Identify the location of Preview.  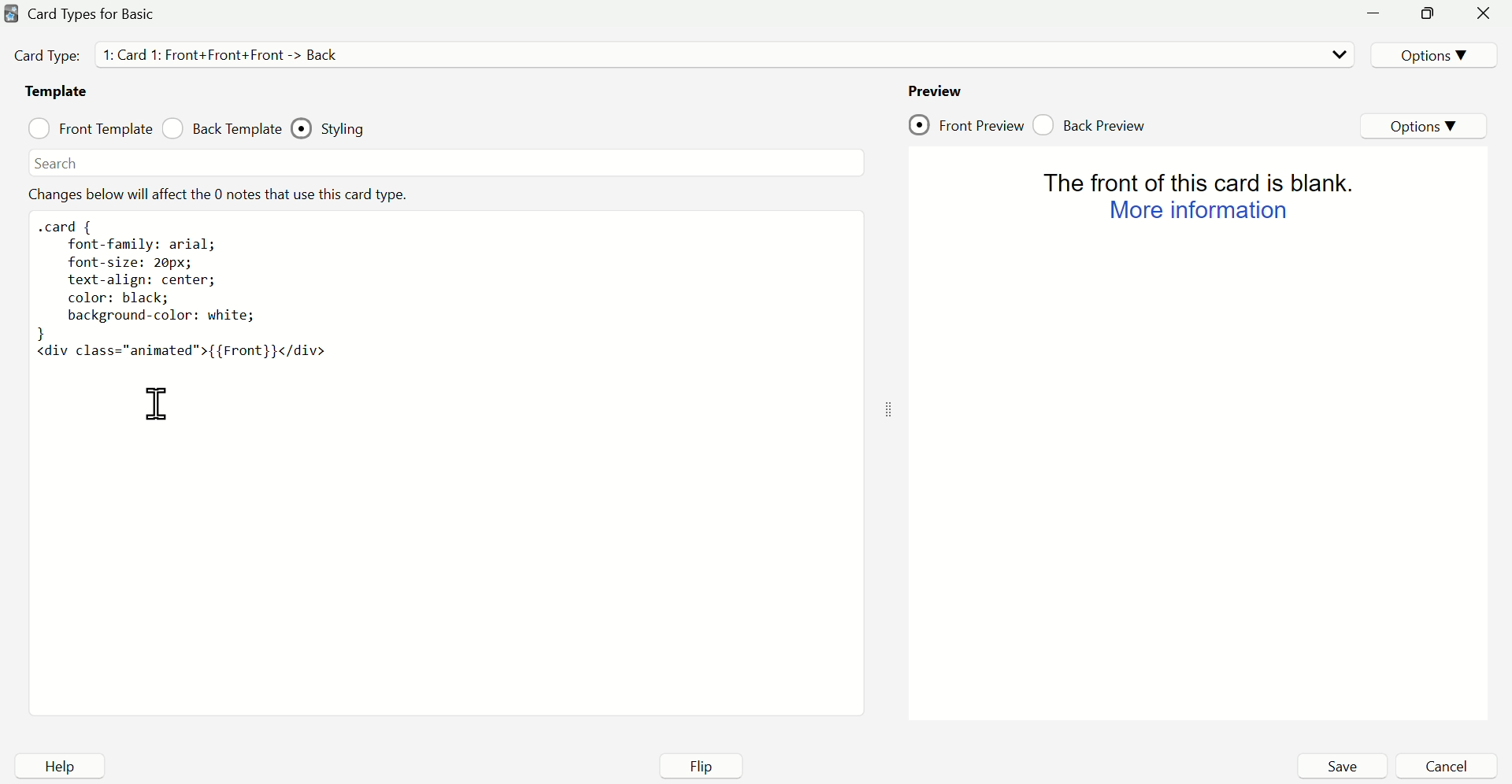
(1204, 435).